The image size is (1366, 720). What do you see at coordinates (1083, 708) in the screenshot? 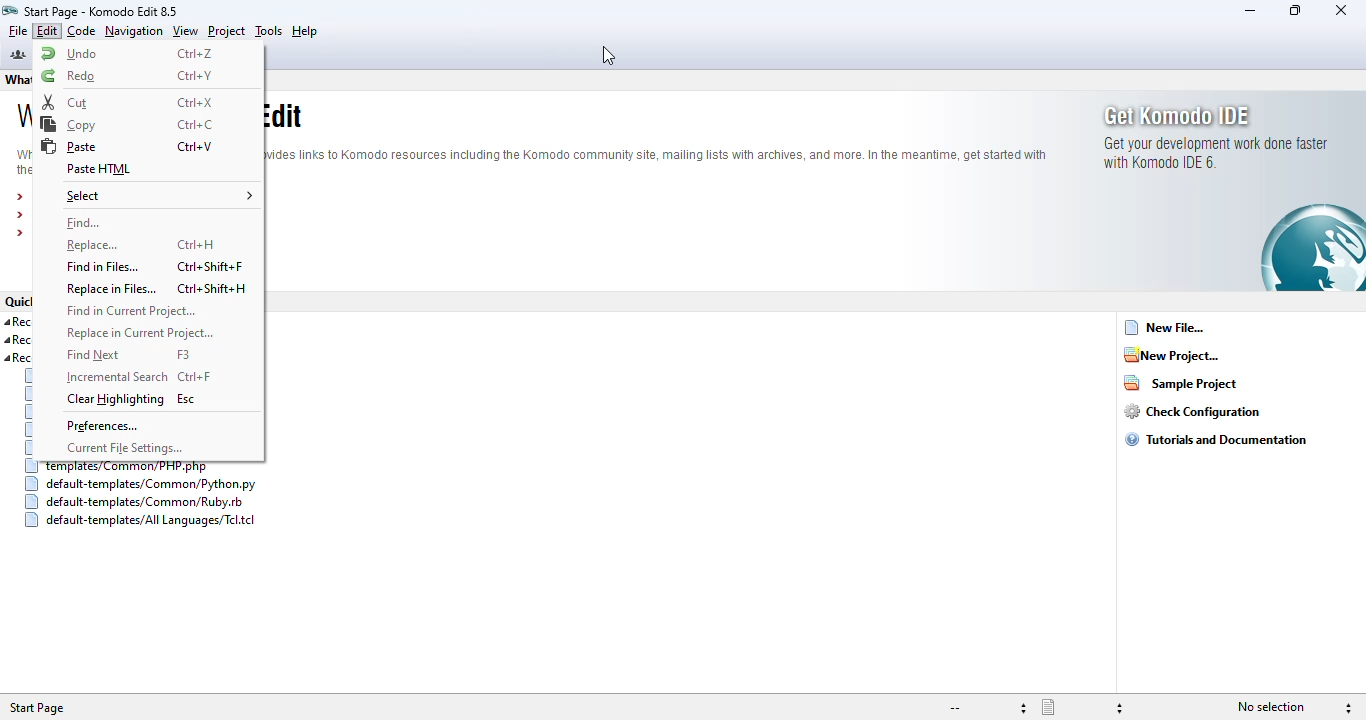
I see `file type` at bounding box center [1083, 708].